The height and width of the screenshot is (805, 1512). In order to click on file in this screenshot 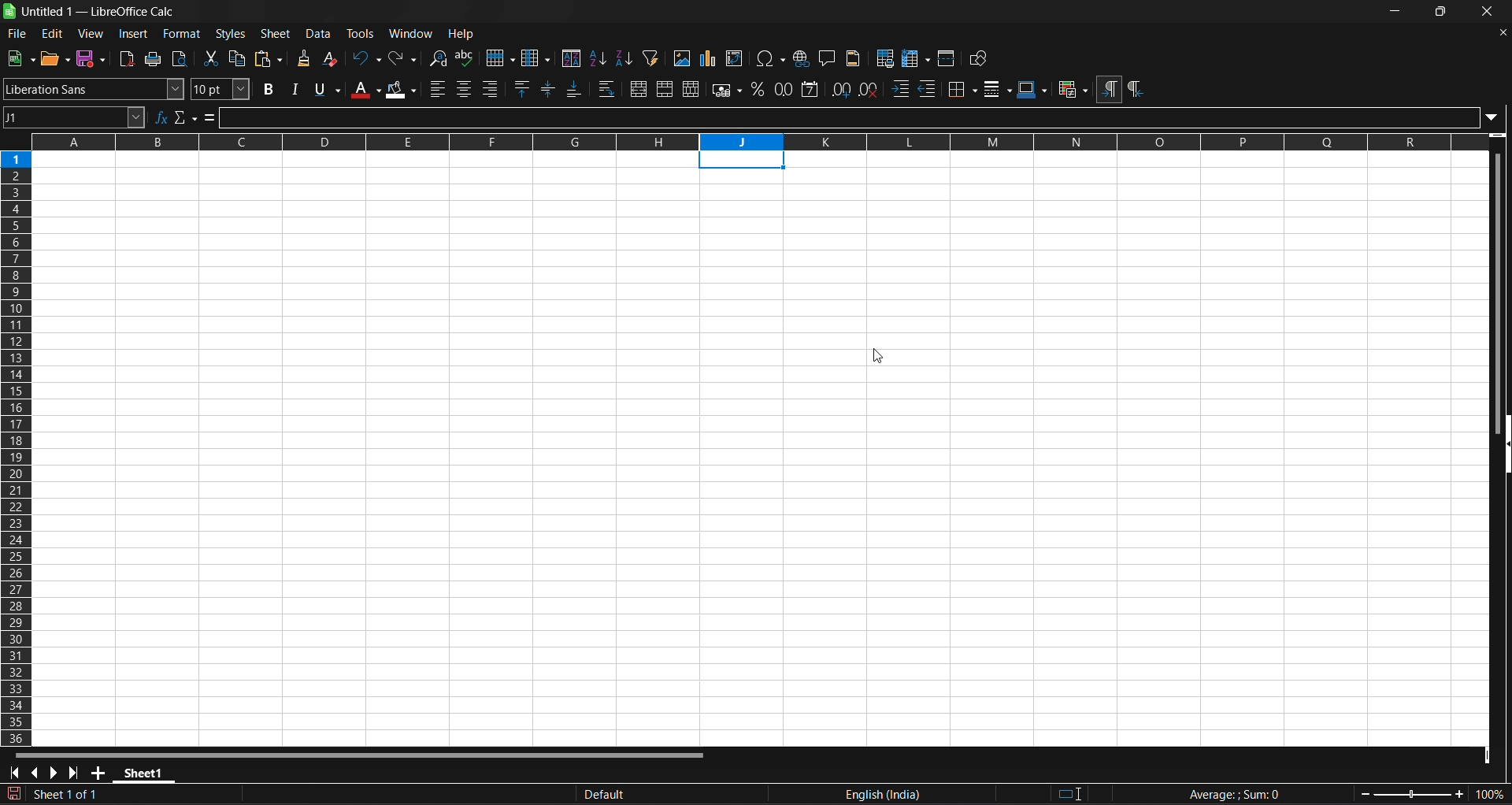, I will do `click(18, 35)`.